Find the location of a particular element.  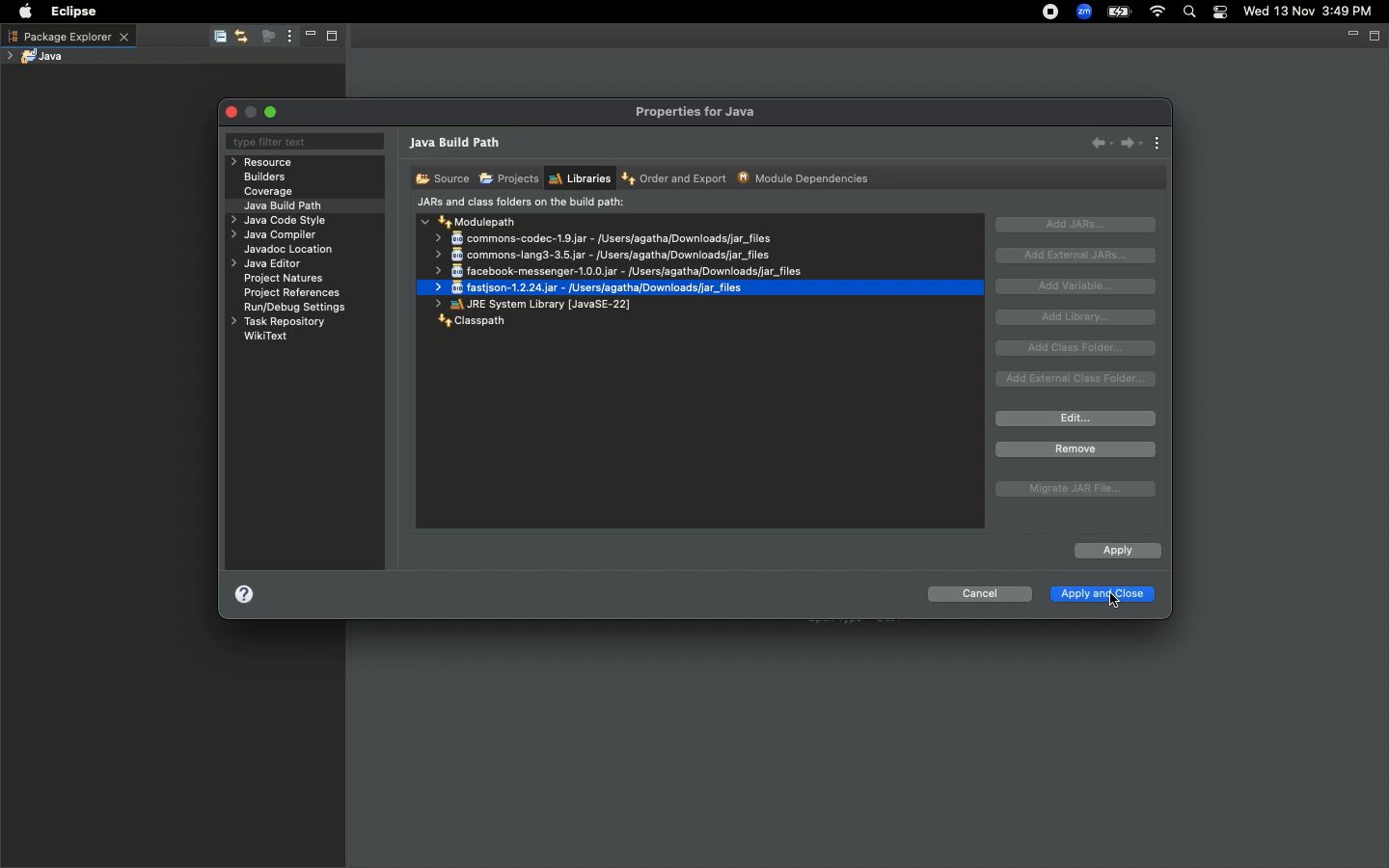

Eclipse is located at coordinates (69, 12).